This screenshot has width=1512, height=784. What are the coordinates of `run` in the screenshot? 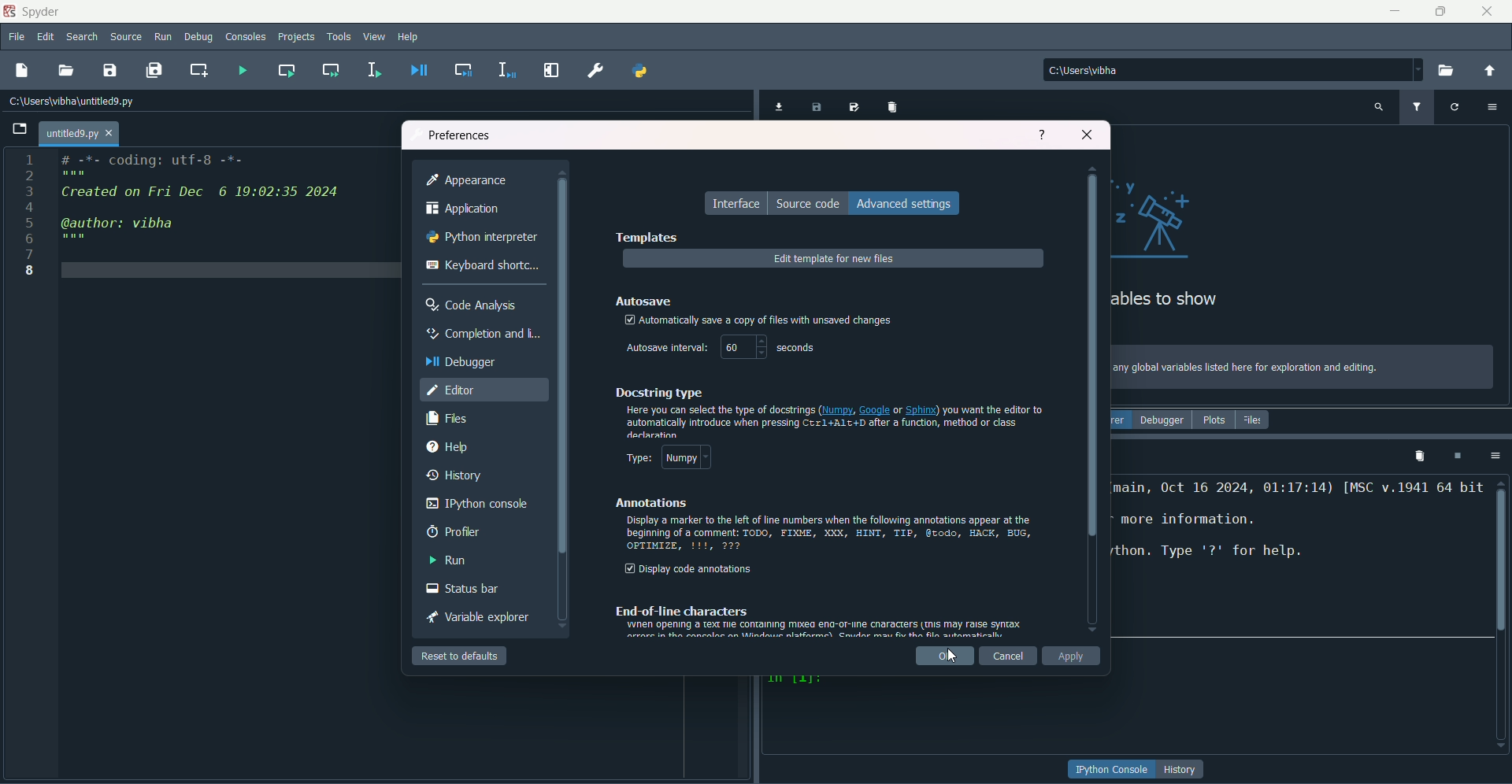 It's located at (450, 560).